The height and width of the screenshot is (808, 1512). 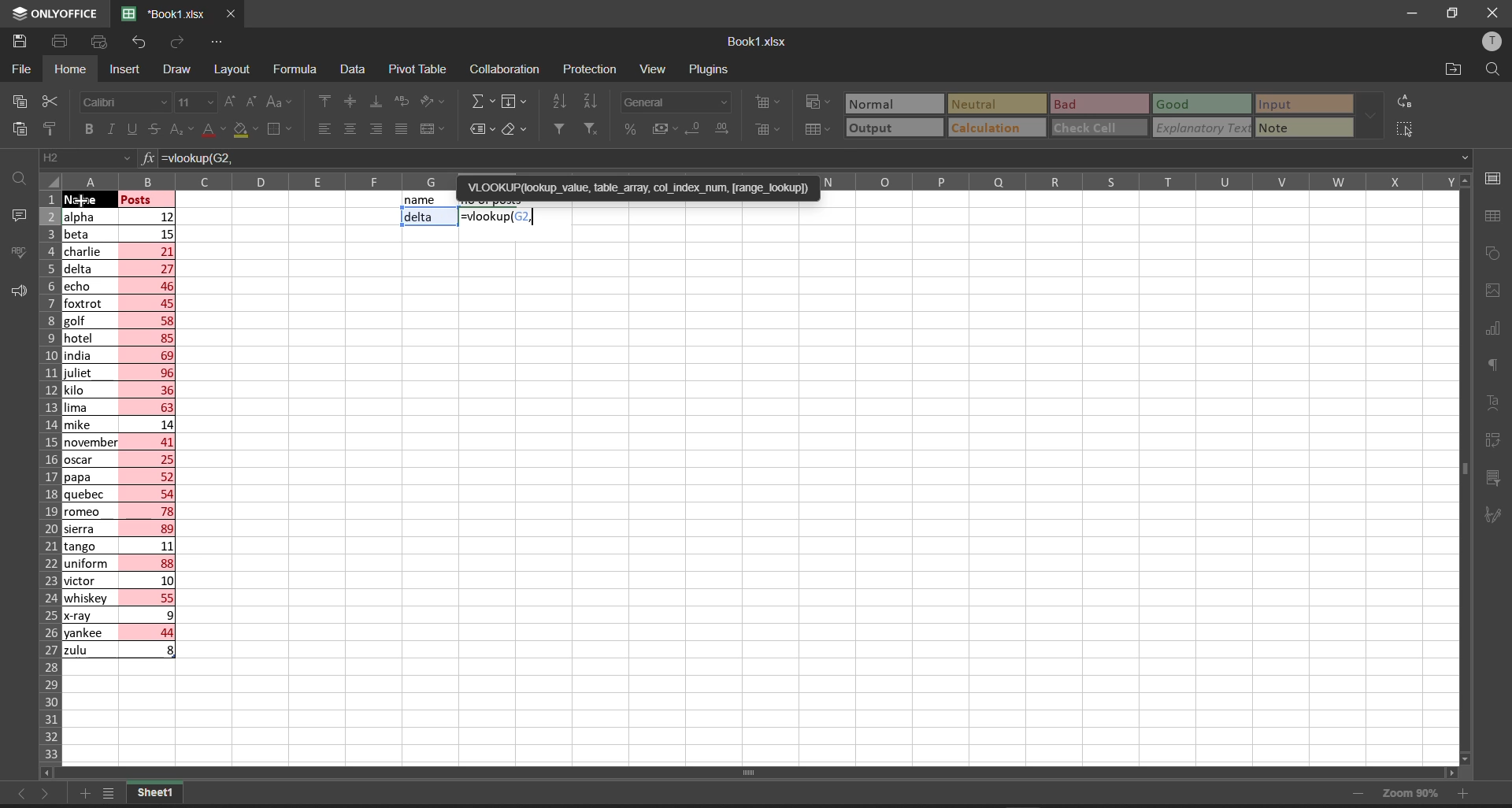 I want to click on customize quick access tool bar, so click(x=217, y=40).